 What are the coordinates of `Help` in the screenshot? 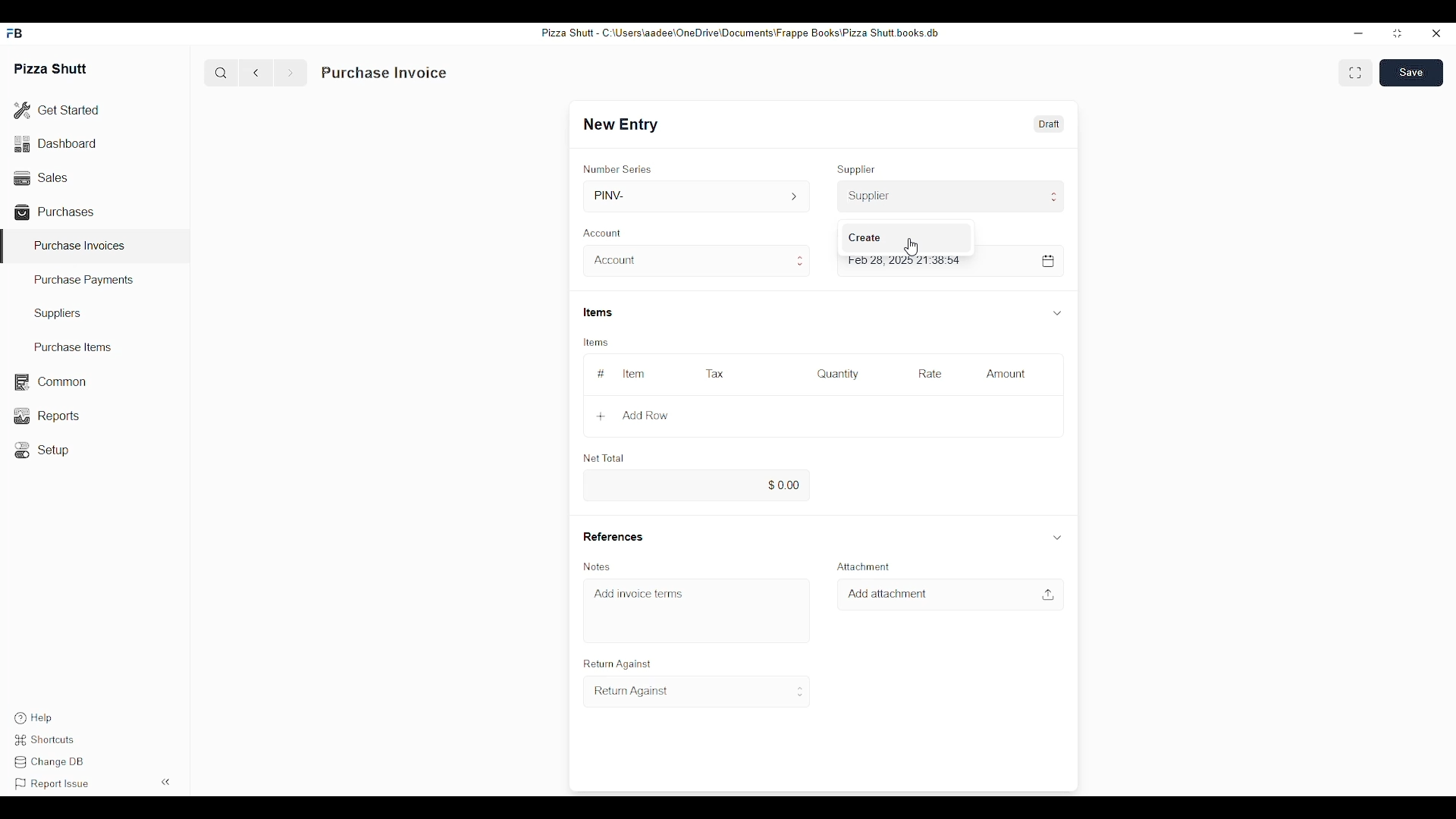 It's located at (32, 718).